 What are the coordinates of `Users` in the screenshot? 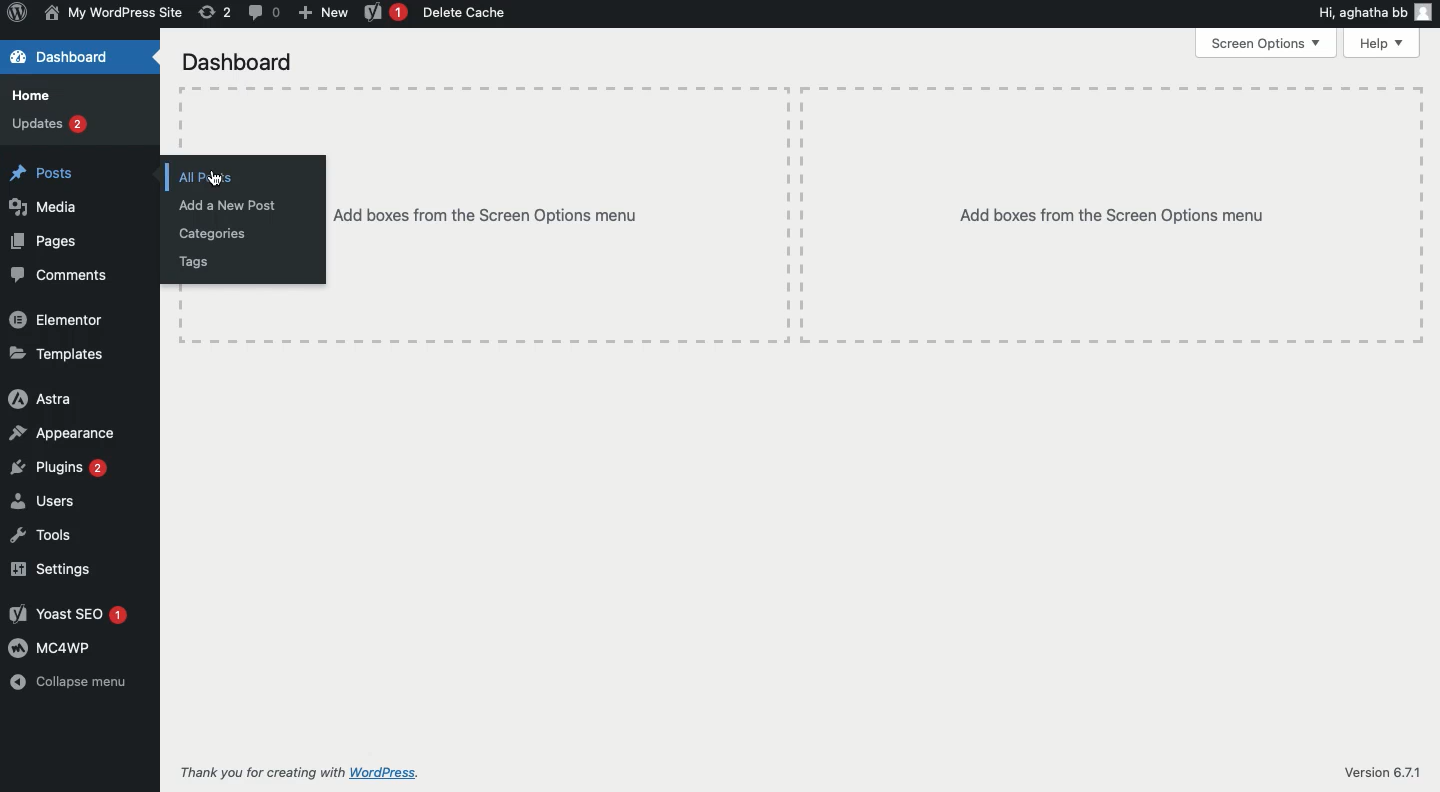 It's located at (40, 502).